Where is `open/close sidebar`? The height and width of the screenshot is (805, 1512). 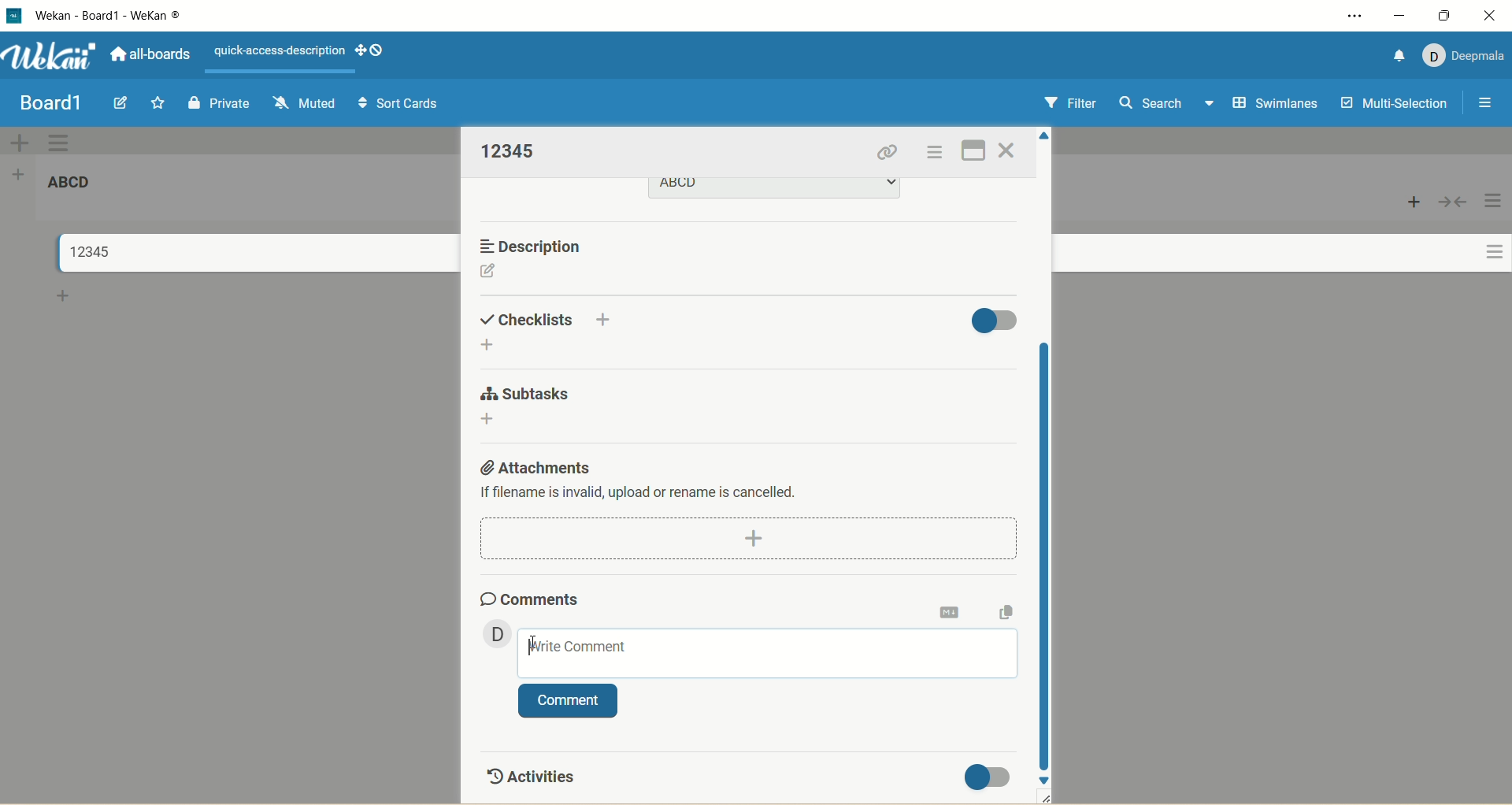 open/close sidebar is located at coordinates (1483, 104).